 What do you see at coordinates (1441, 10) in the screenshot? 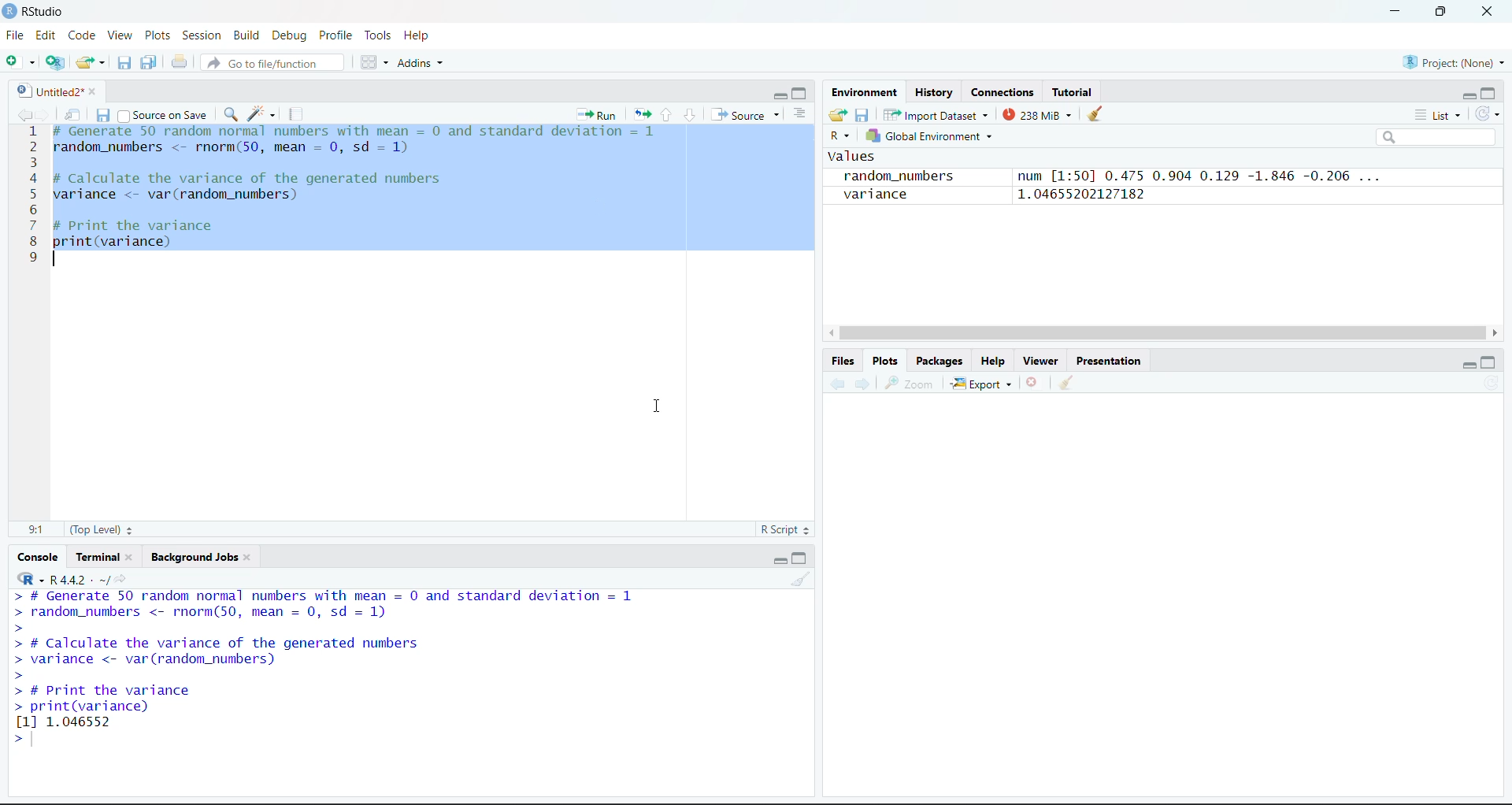
I see `resize` at bounding box center [1441, 10].